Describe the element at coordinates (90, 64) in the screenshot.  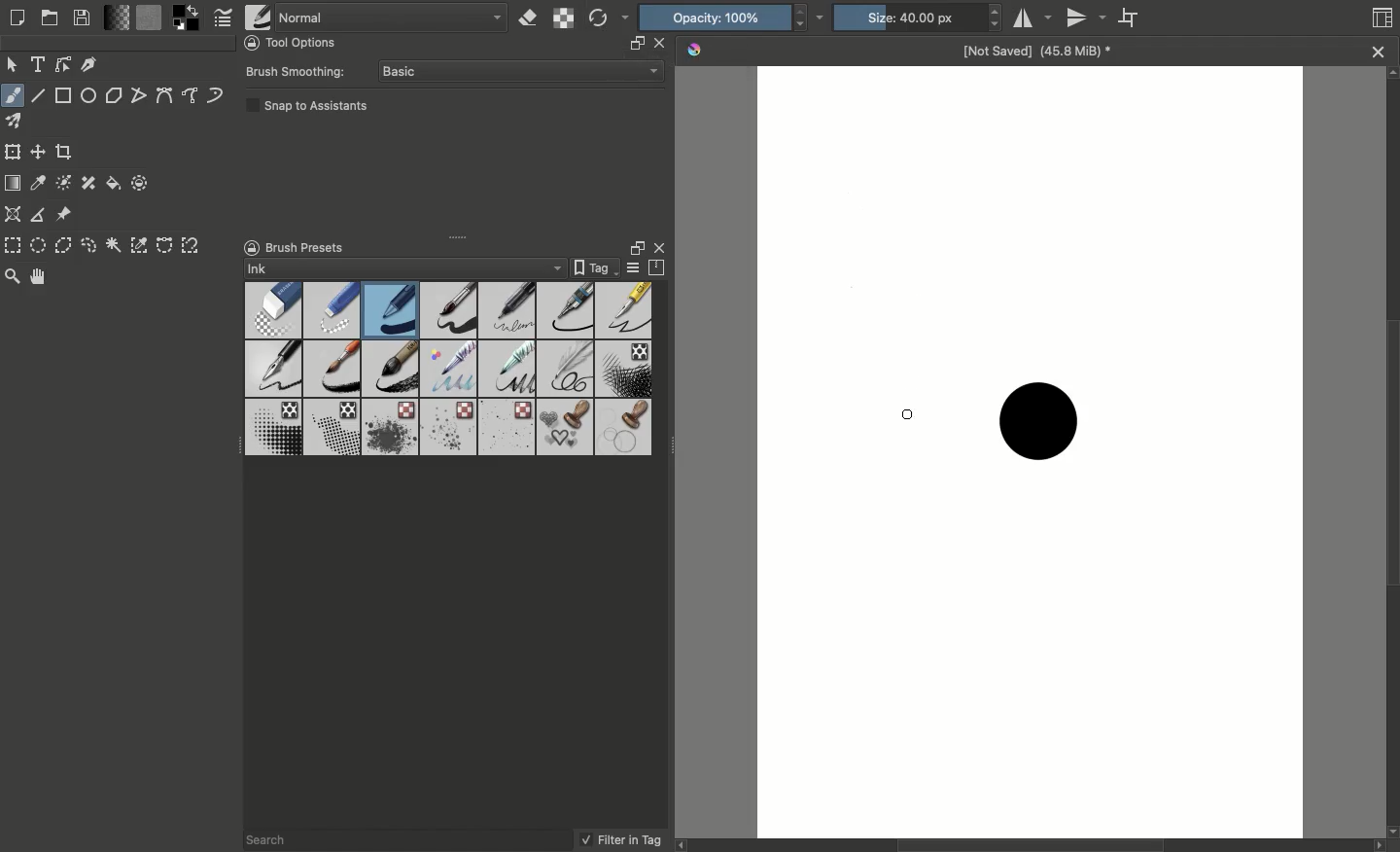
I see `Calligraphy` at that location.